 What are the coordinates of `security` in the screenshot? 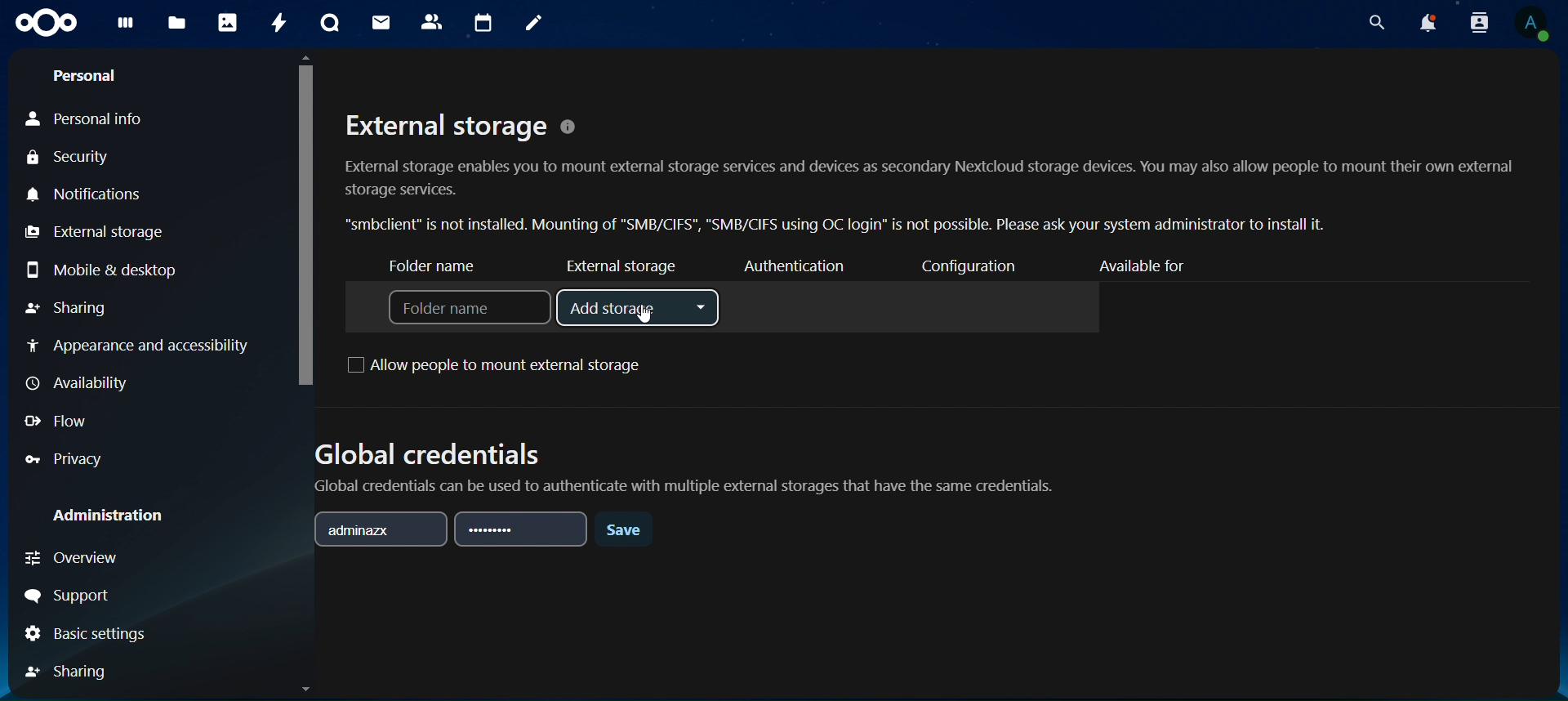 It's located at (82, 157).